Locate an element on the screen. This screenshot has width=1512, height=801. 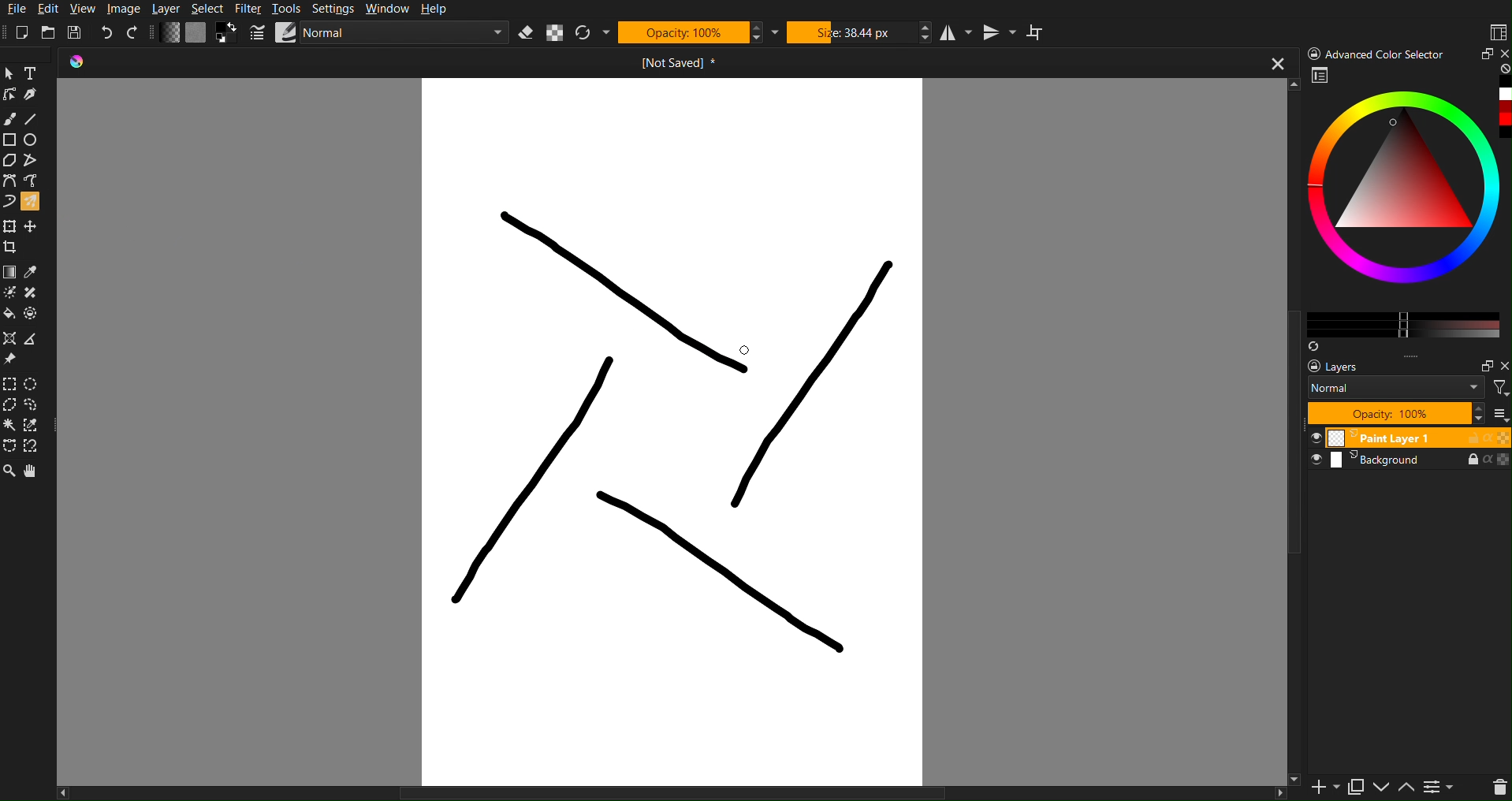
Opacity is located at coordinates (695, 32).